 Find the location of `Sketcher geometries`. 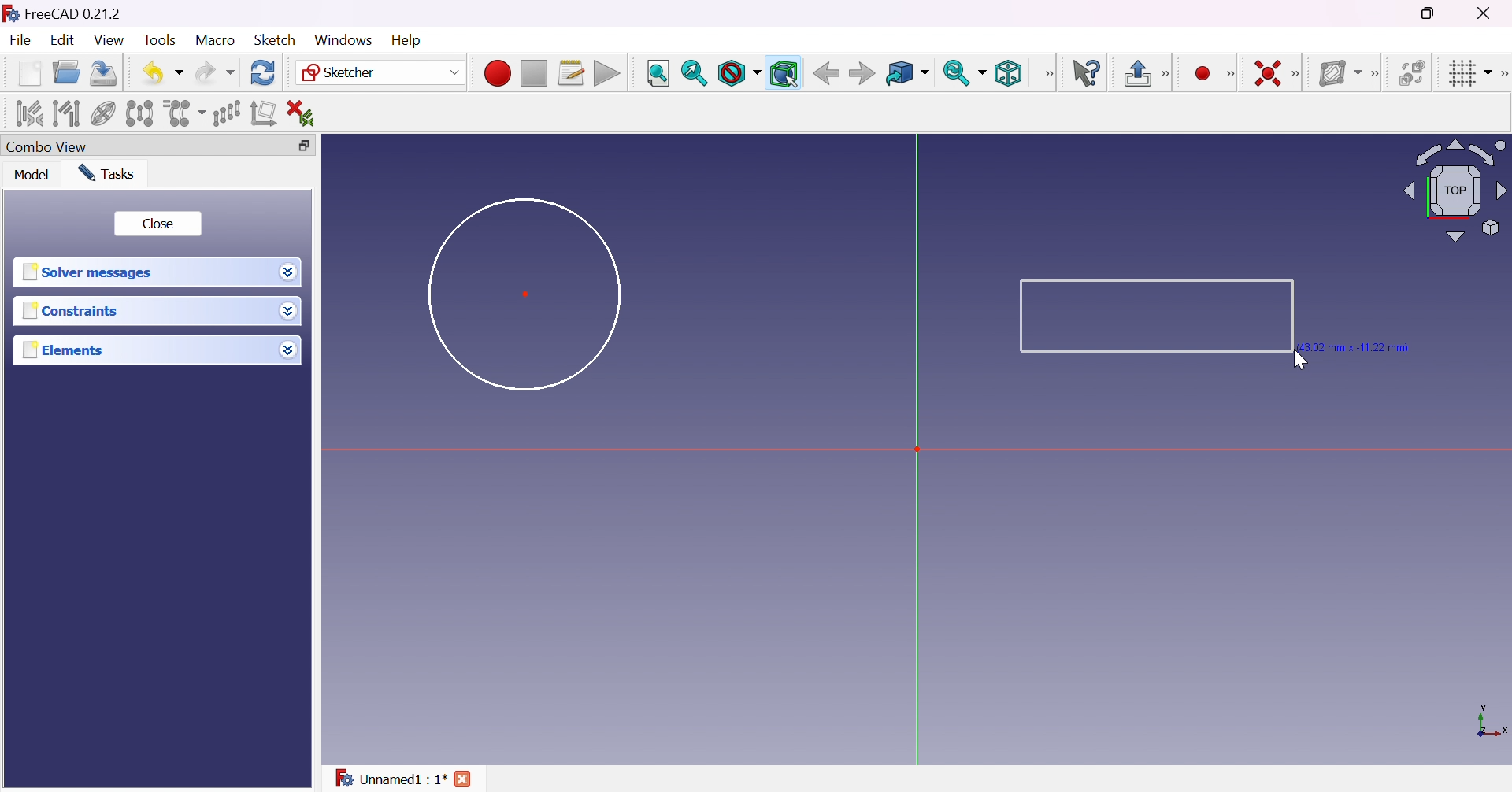

Sketcher geometries is located at coordinates (1230, 75).